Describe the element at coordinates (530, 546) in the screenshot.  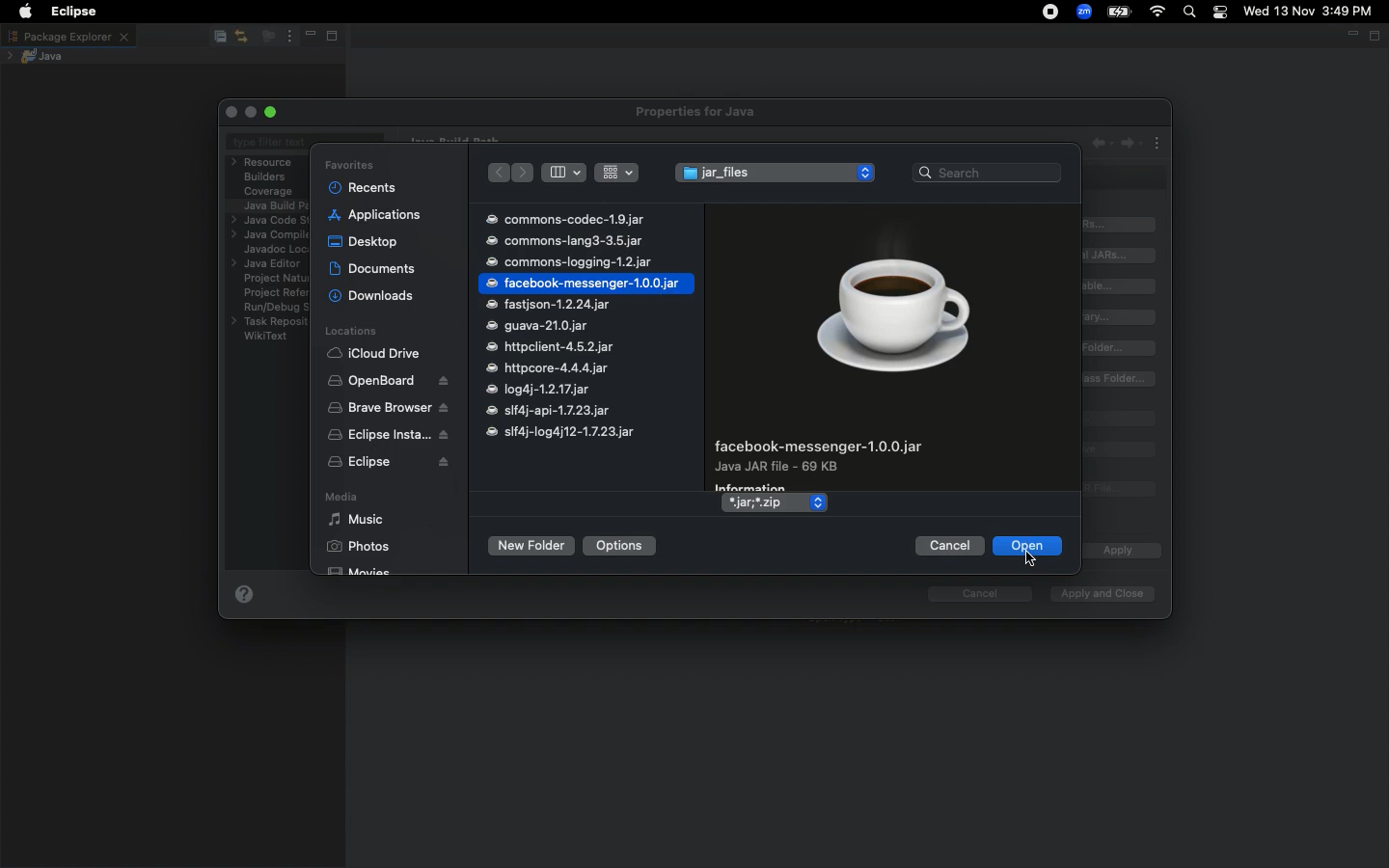
I see `New folder` at that location.